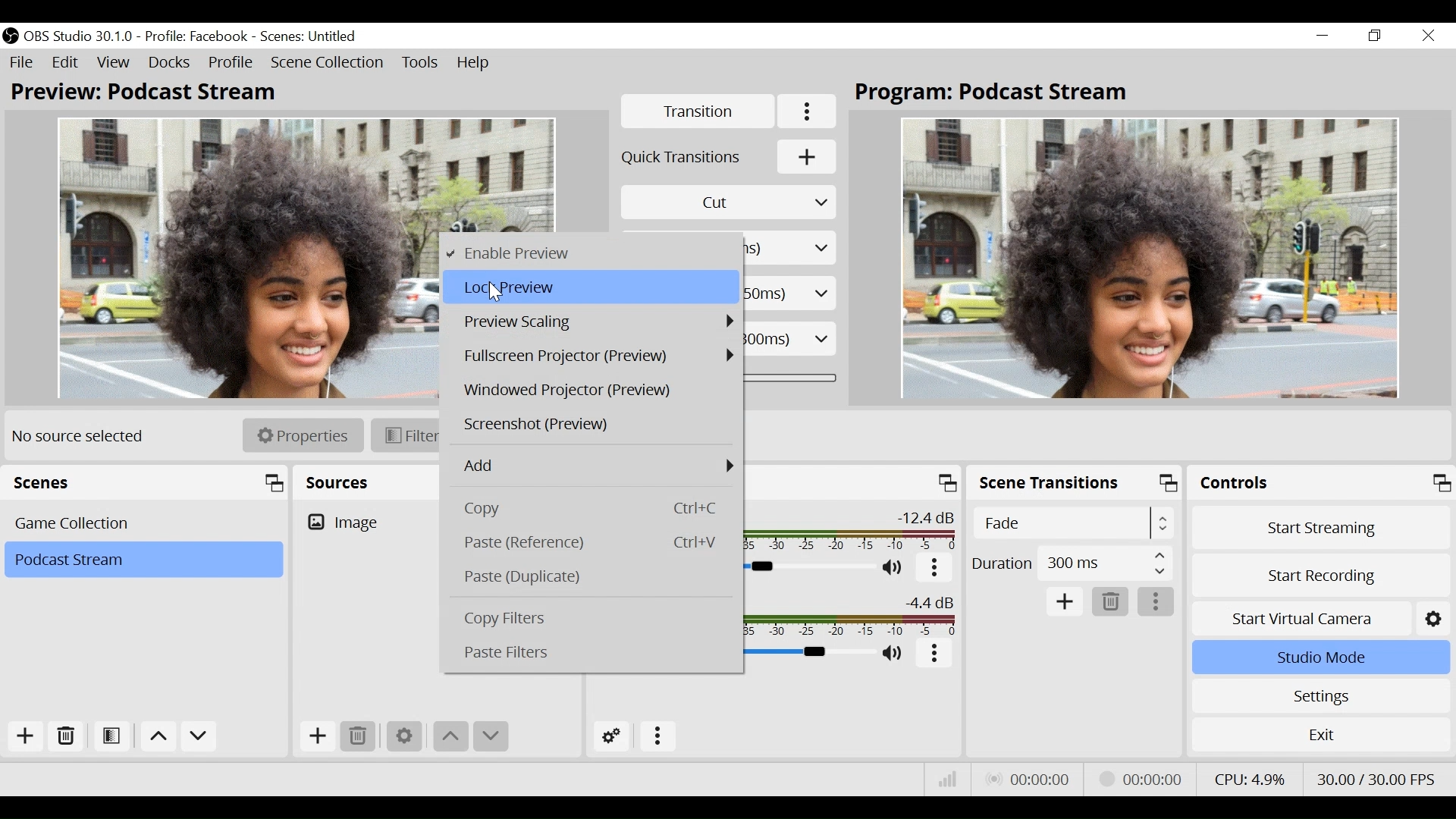 This screenshot has height=819, width=1456. Describe the element at coordinates (403, 736) in the screenshot. I see `Settings` at that location.